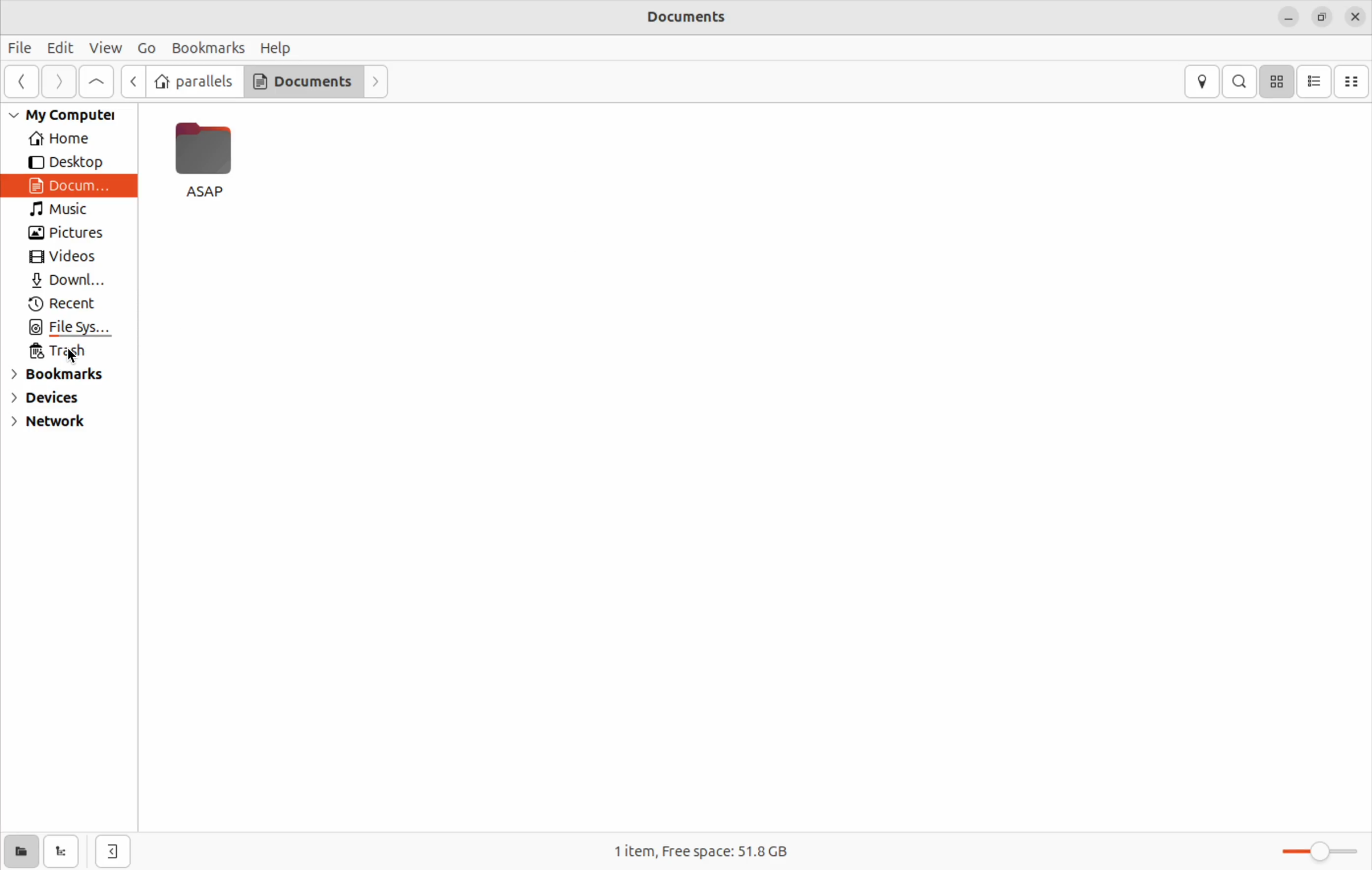 The height and width of the screenshot is (870, 1372). What do you see at coordinates (18, 83) in the screenshot?
I see `back` at bounding box center [18, 83].